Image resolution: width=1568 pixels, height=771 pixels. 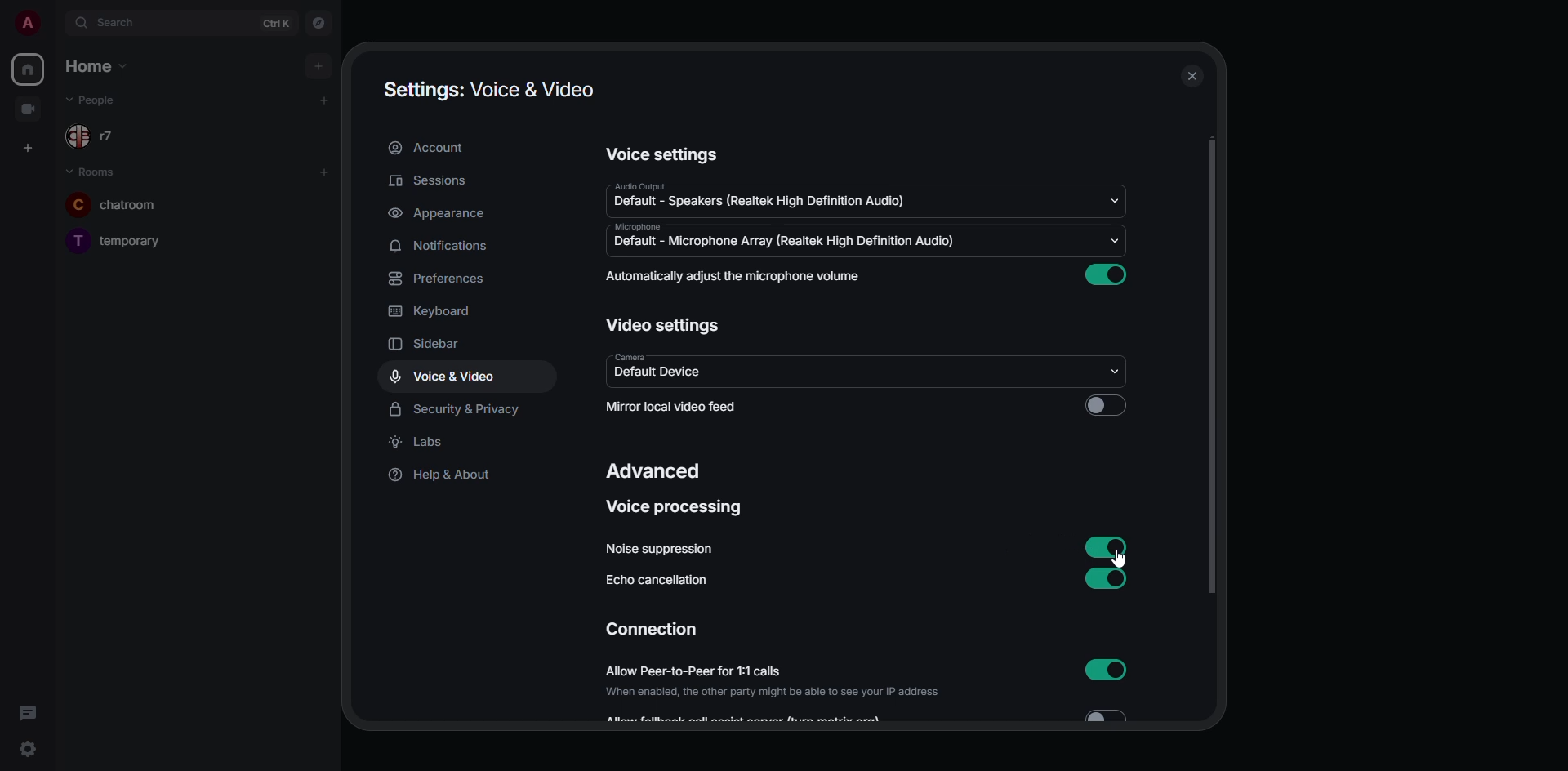 I want to click on settings voice & video, so click(x=490, y=91).